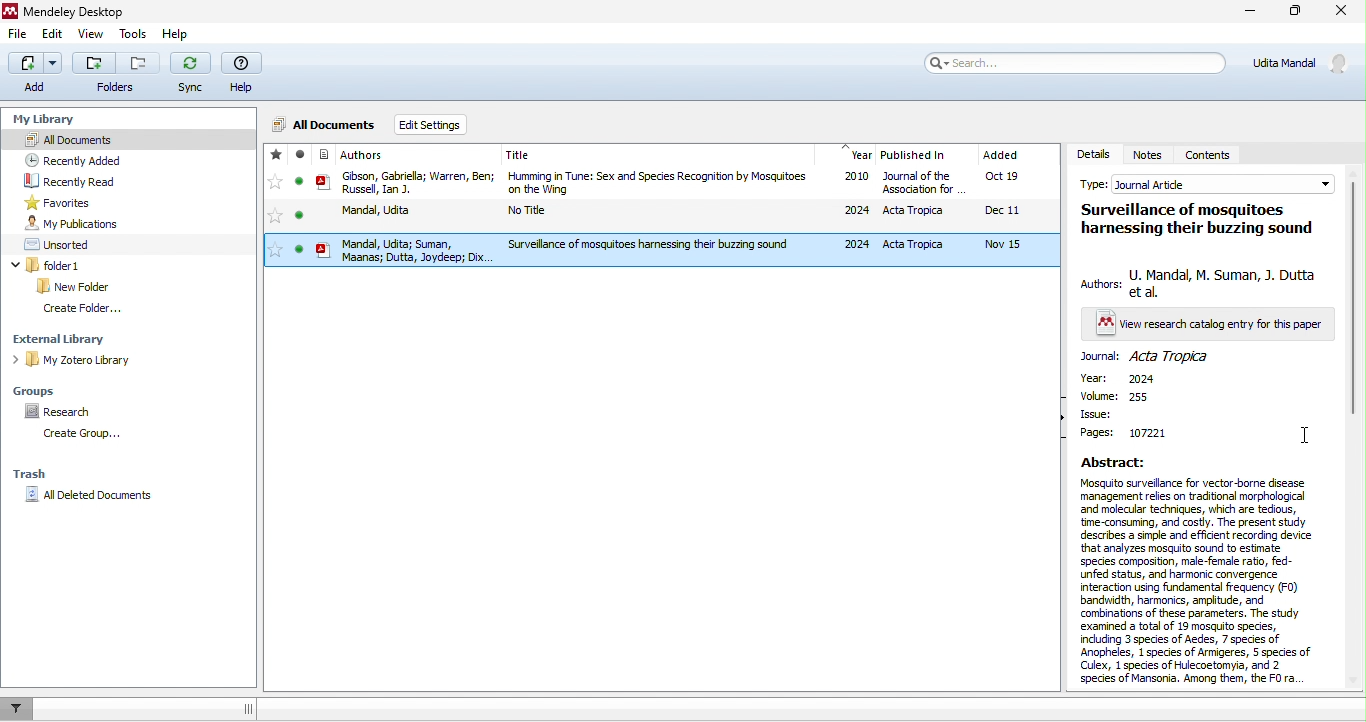  What do you see at coordinates (1129, 378) in the screenshot?
I see `year:2024` at bounding box center [1129, 378].